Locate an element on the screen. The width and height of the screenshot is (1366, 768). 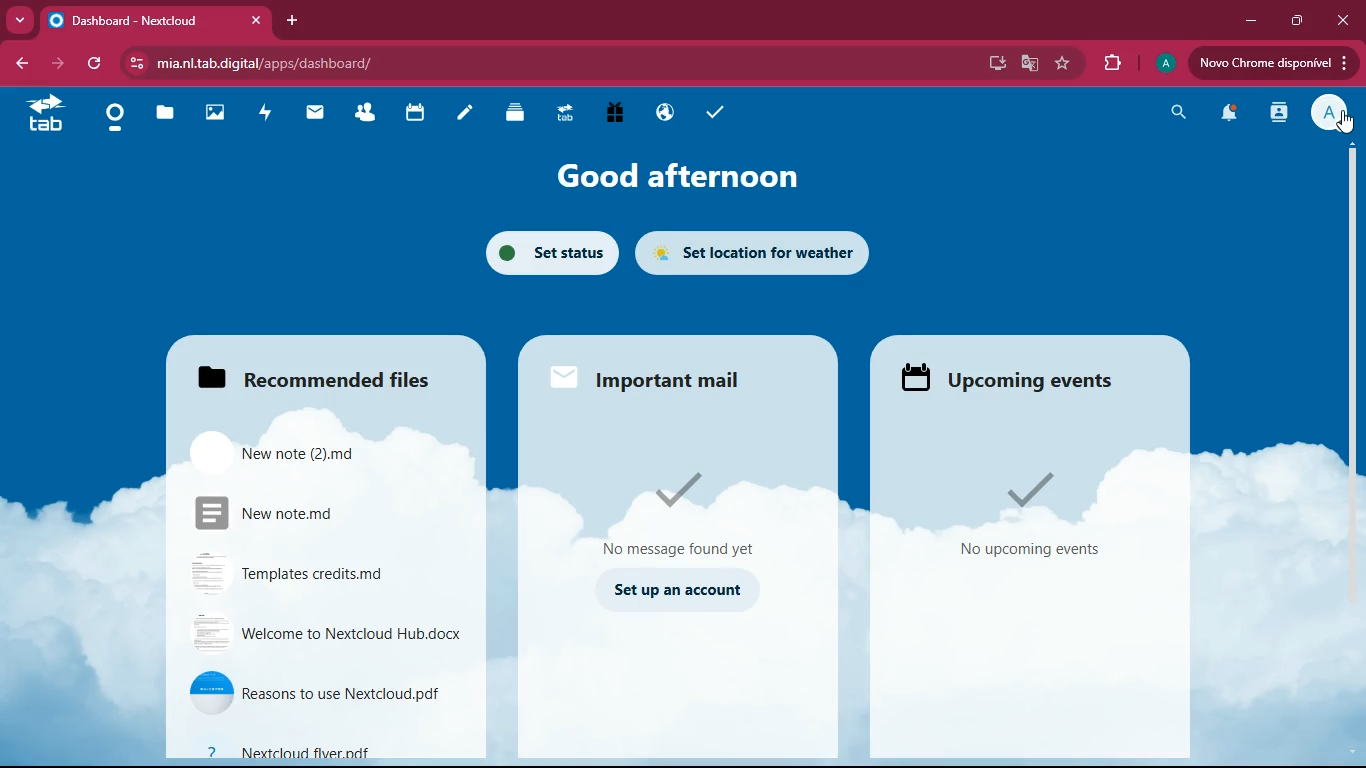
layers is located at coordinates (509, 113).